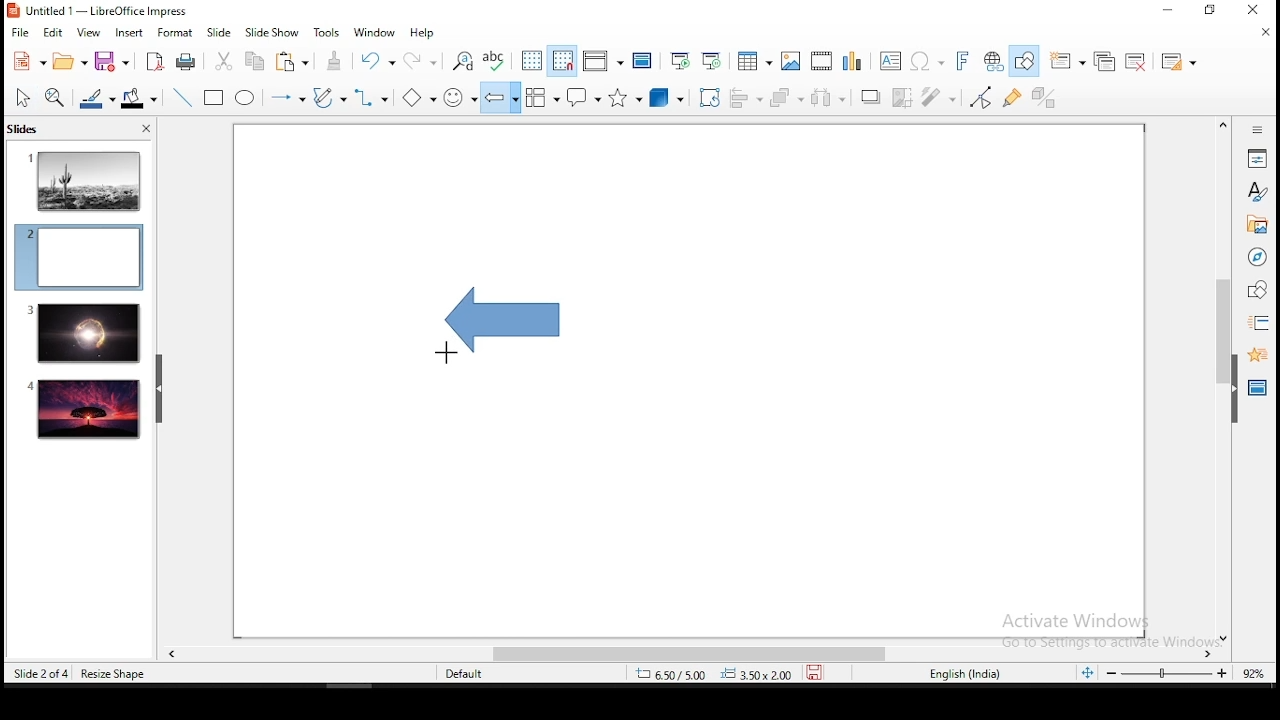 The height and width of the screenshot is (720, 1280). What do you see at coordinates (493, 60) in the screenshot?
I see `spell chech` at bounding box center [493, 60].